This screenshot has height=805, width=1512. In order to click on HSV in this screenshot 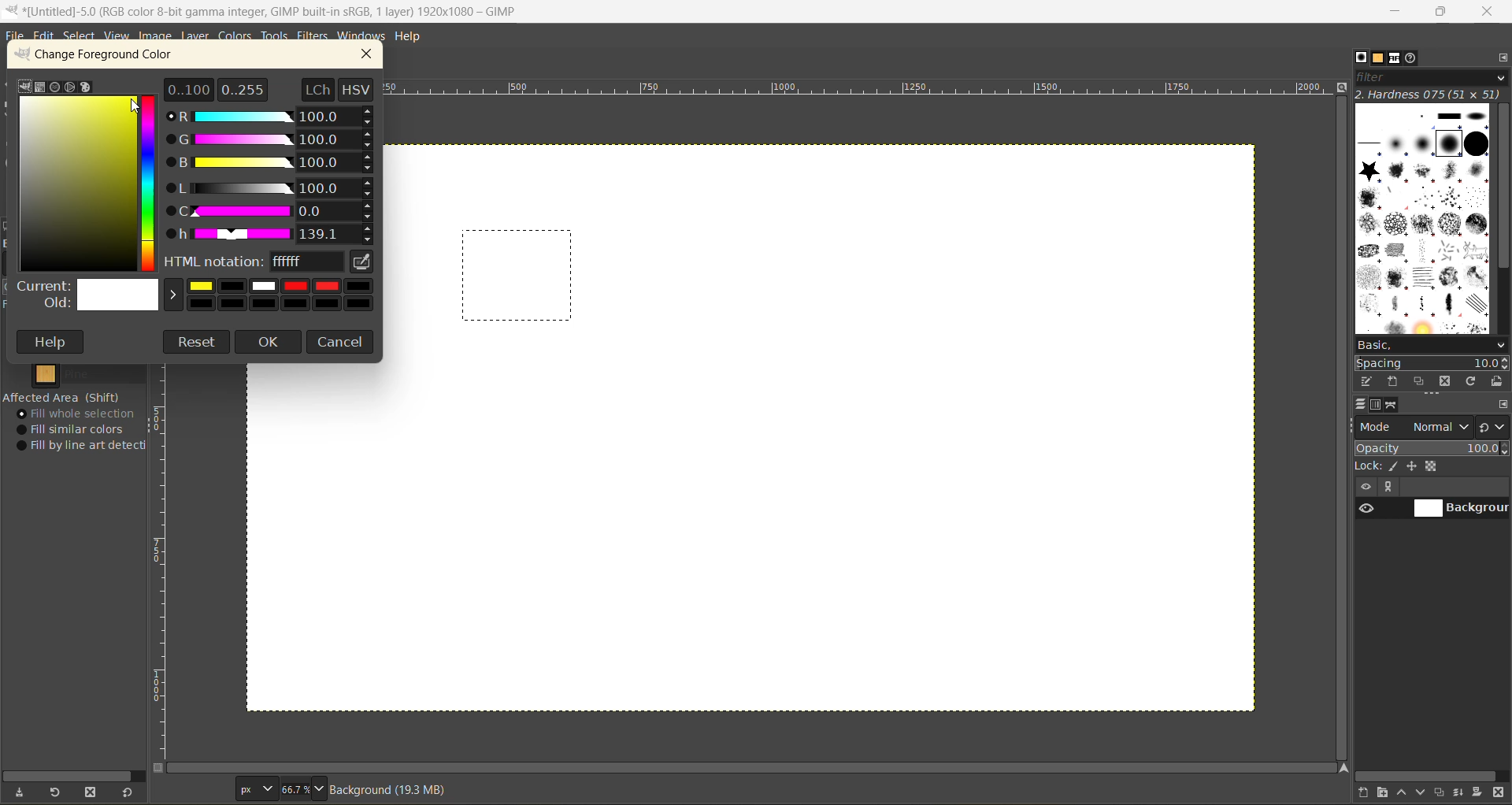, I will do `click(358, 88)`.